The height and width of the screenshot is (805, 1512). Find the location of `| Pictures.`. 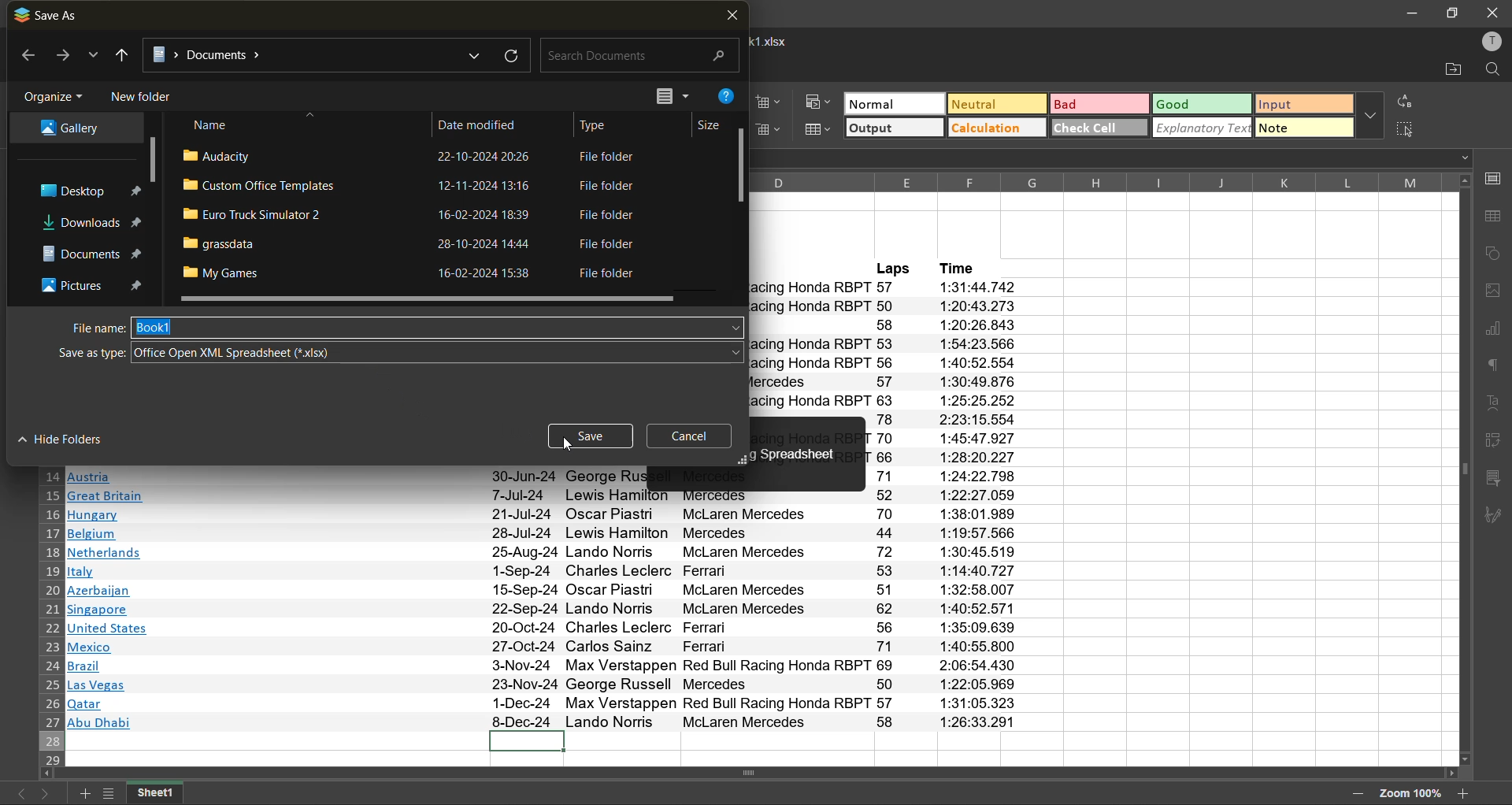

| Pictures. is located at coordinates (94, 287).